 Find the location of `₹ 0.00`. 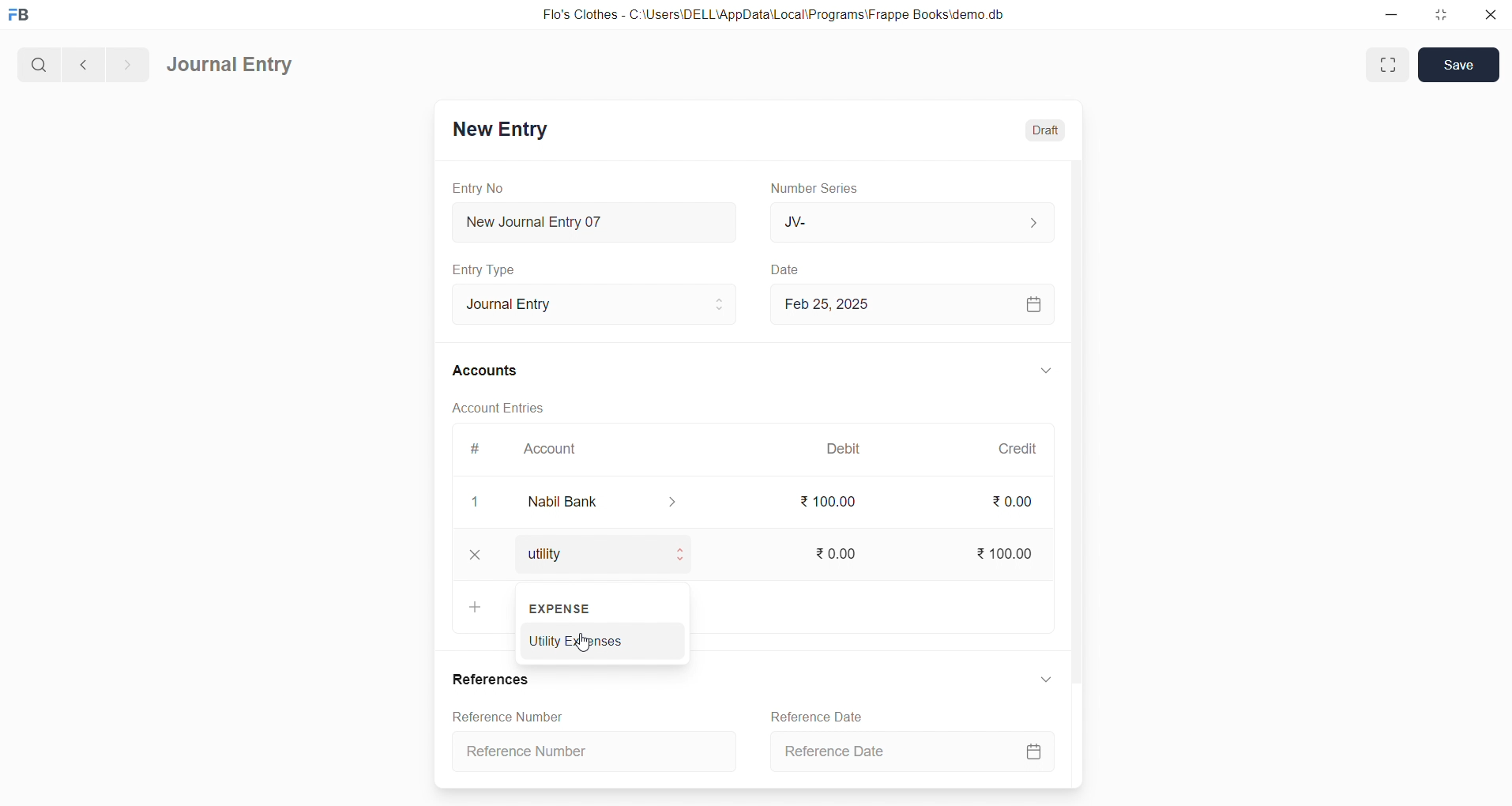

₹ 0.00 is located at coordinates (1011, 502).